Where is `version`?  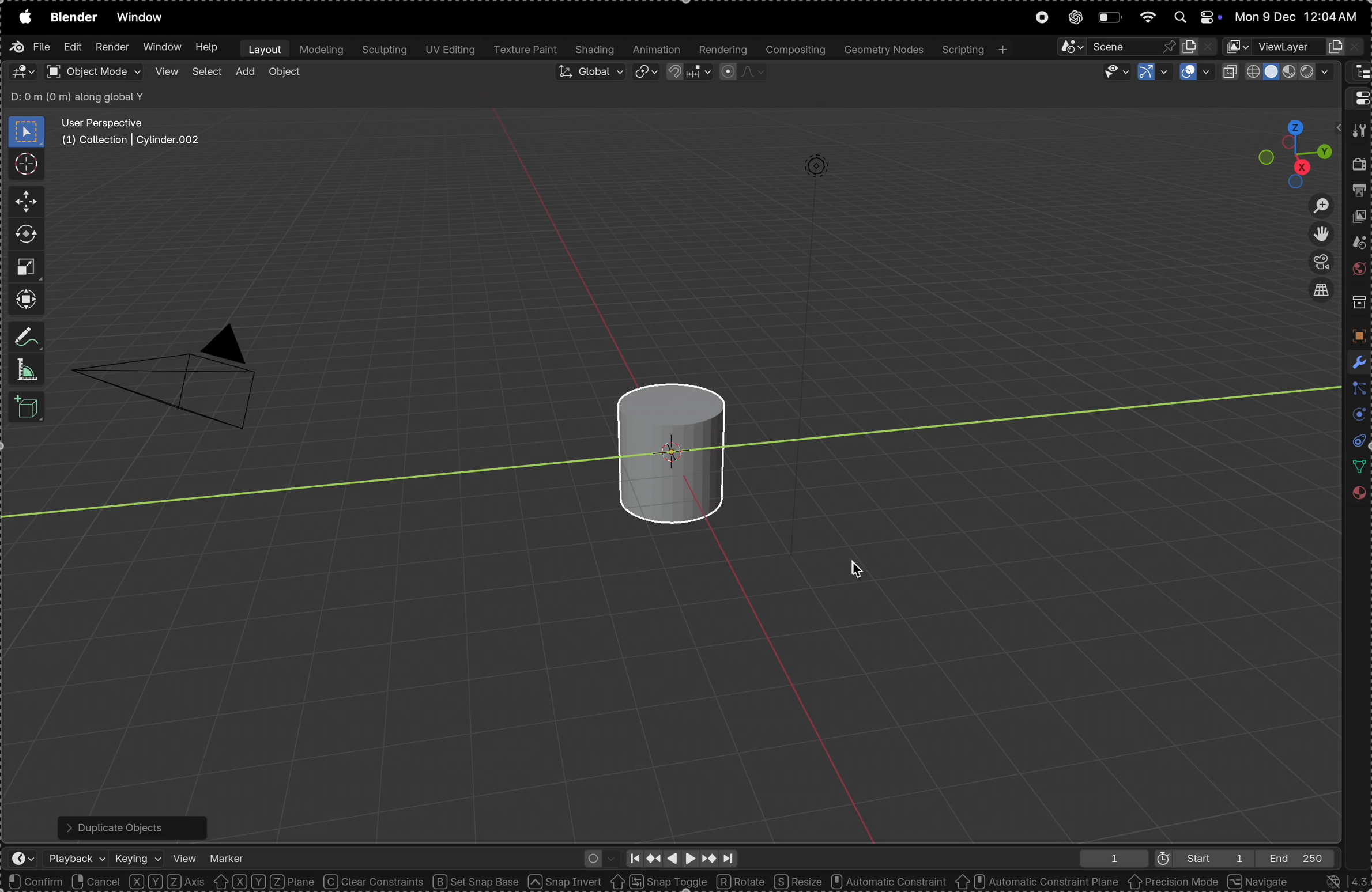 version is located at coordinates (1339, 881).